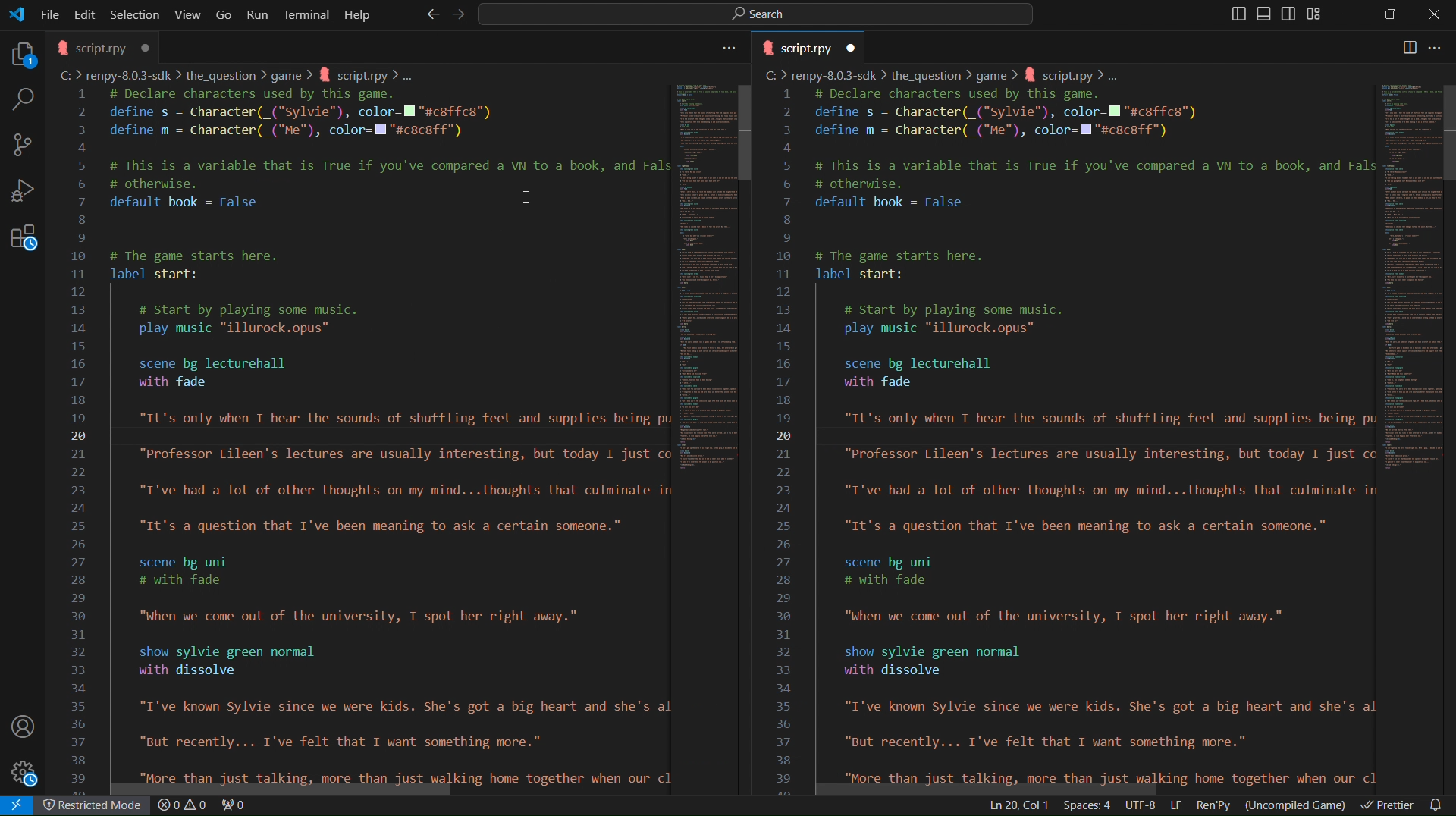  What do you see at coordinates (1409, 281) in the screenshot?
I see `Code view` at bounding box center [1409, 281].